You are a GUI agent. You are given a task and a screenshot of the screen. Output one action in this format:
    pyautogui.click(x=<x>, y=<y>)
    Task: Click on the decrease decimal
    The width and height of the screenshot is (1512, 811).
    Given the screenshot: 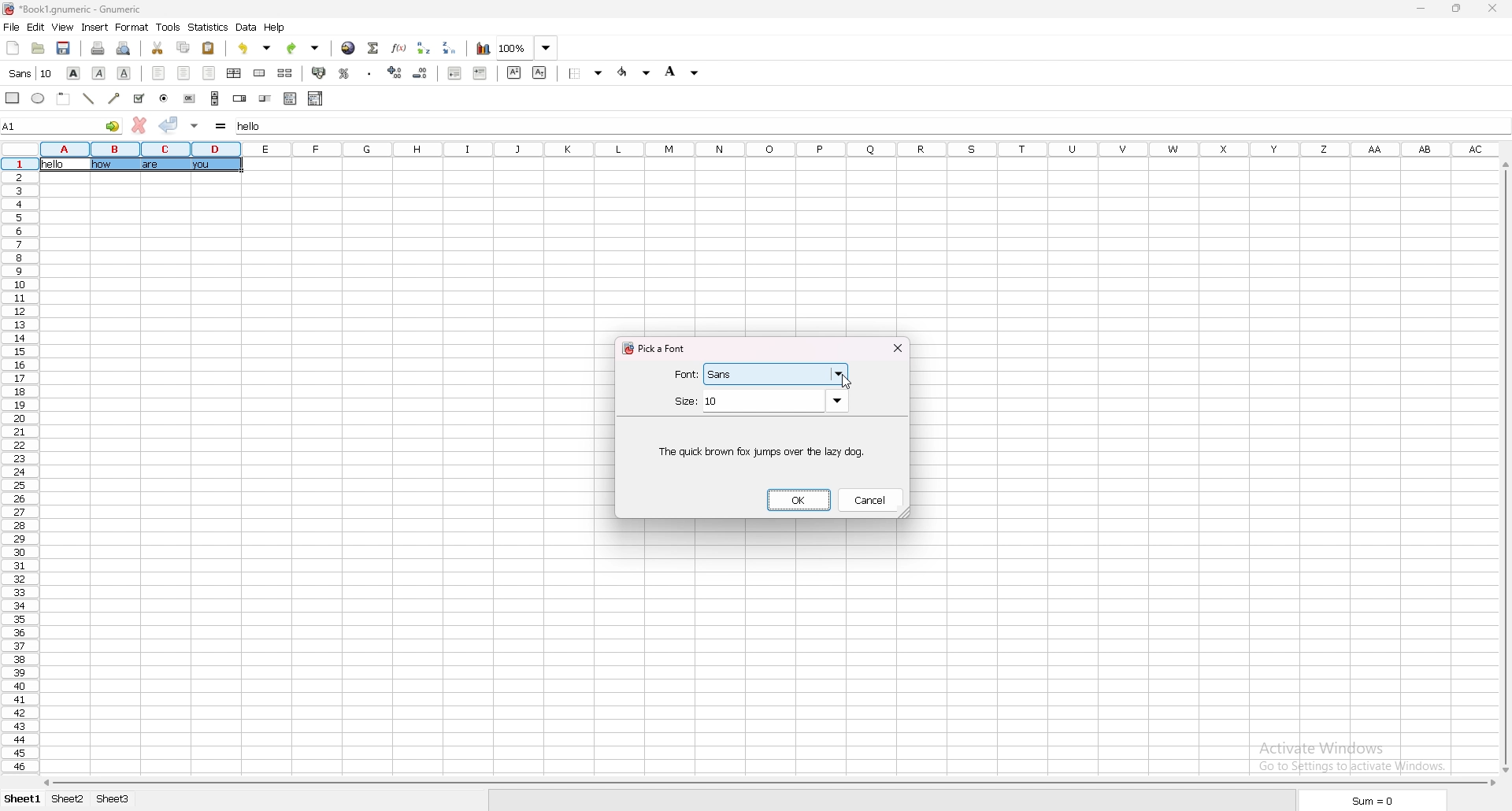 What is the action you would take?
    pyautogui.click(x=421, y=73)
    